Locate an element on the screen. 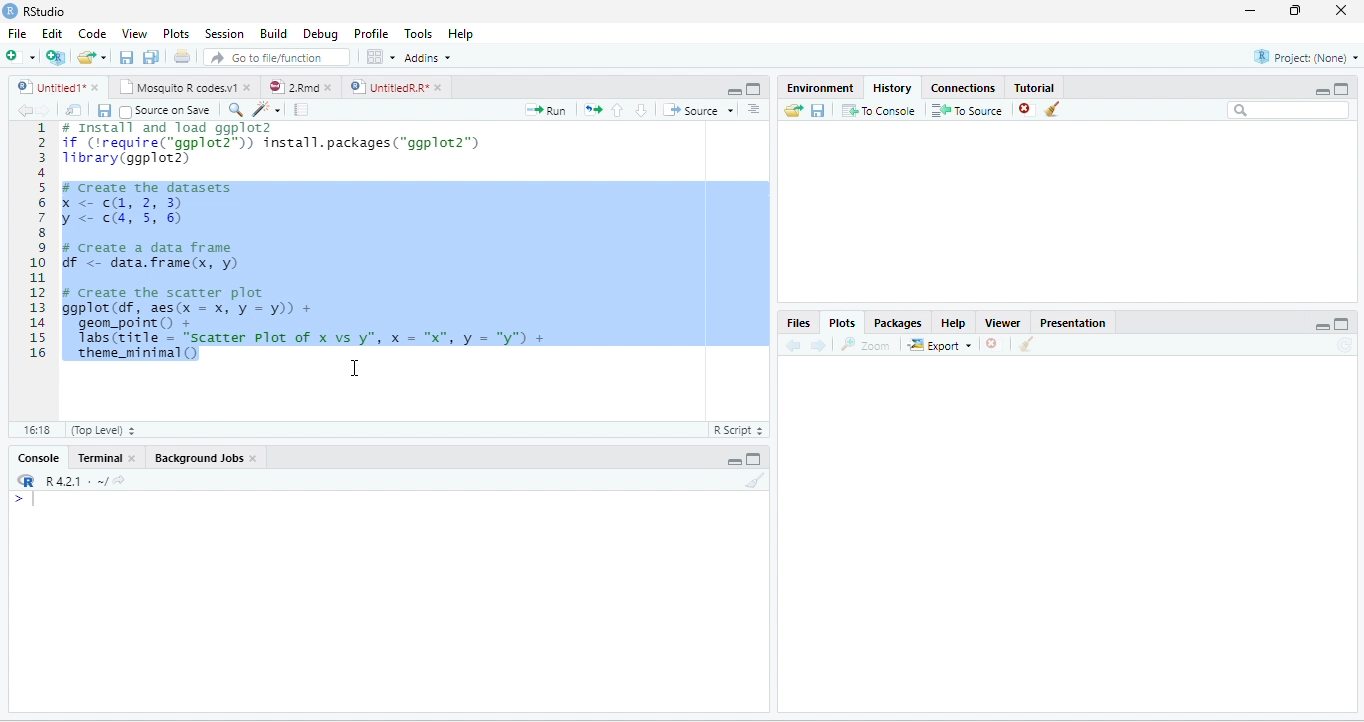 The width and height of the screenshot is (1364, 722). Project: (None) is located at coordinates (1305, 57).